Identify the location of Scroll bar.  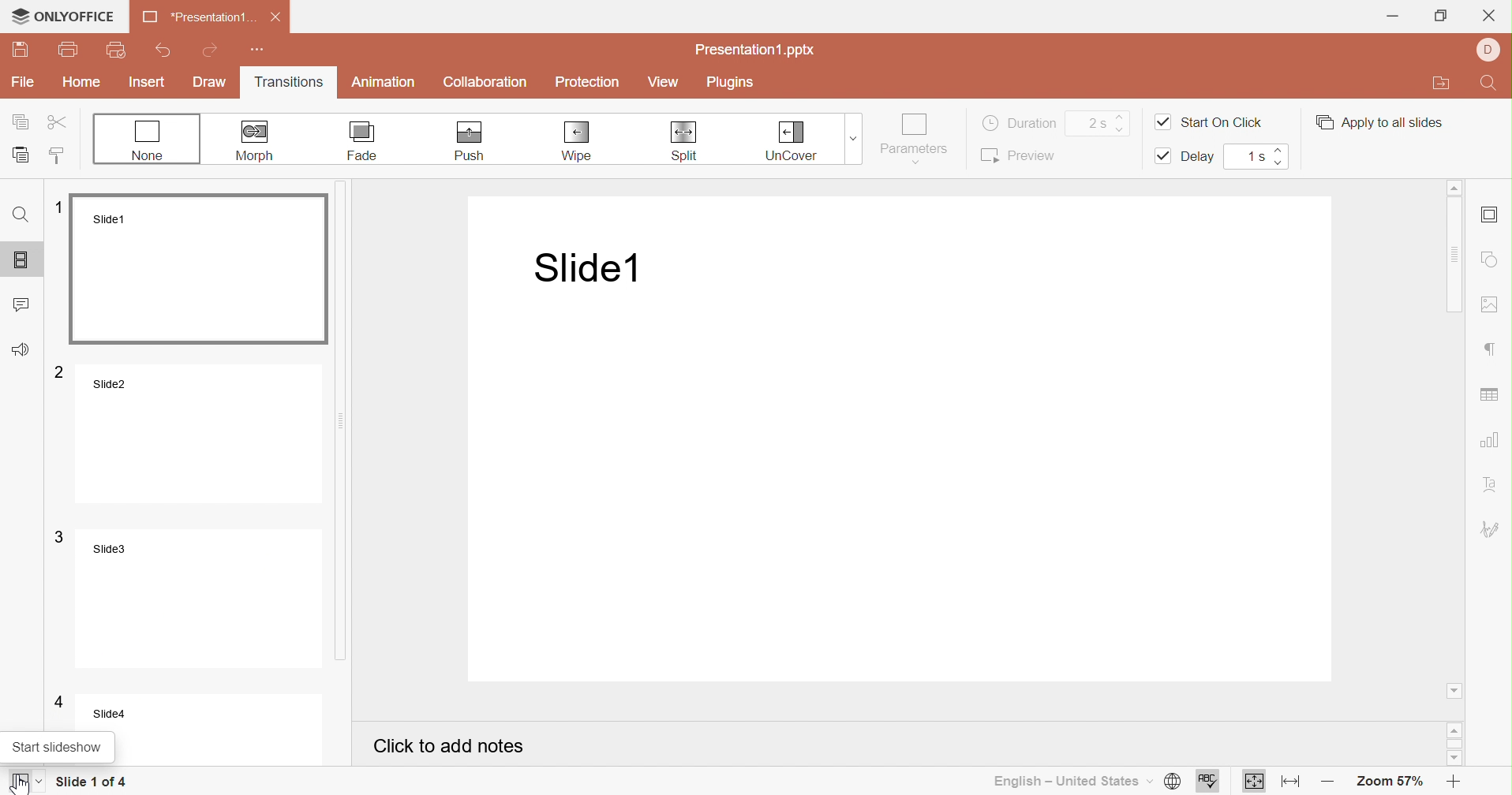
(354, 425).